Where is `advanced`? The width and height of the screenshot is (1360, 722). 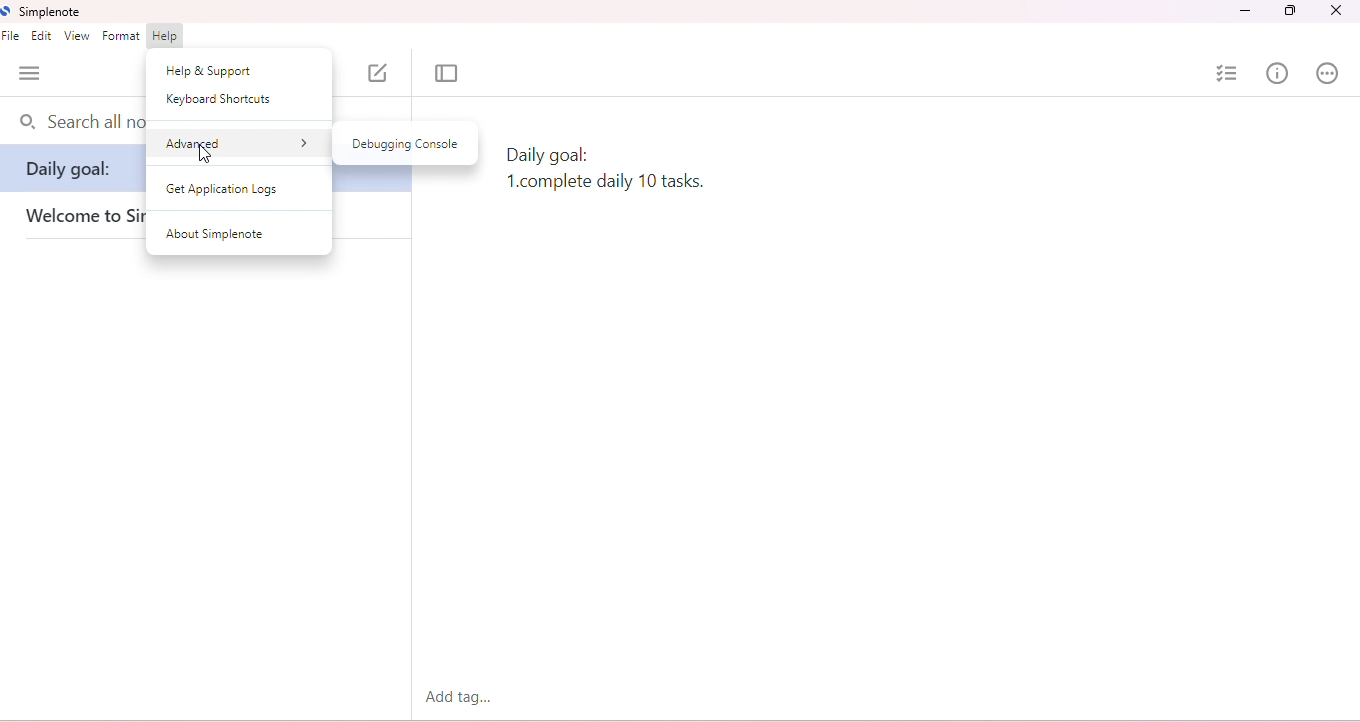 advanced is located at coordinates (238, 142).